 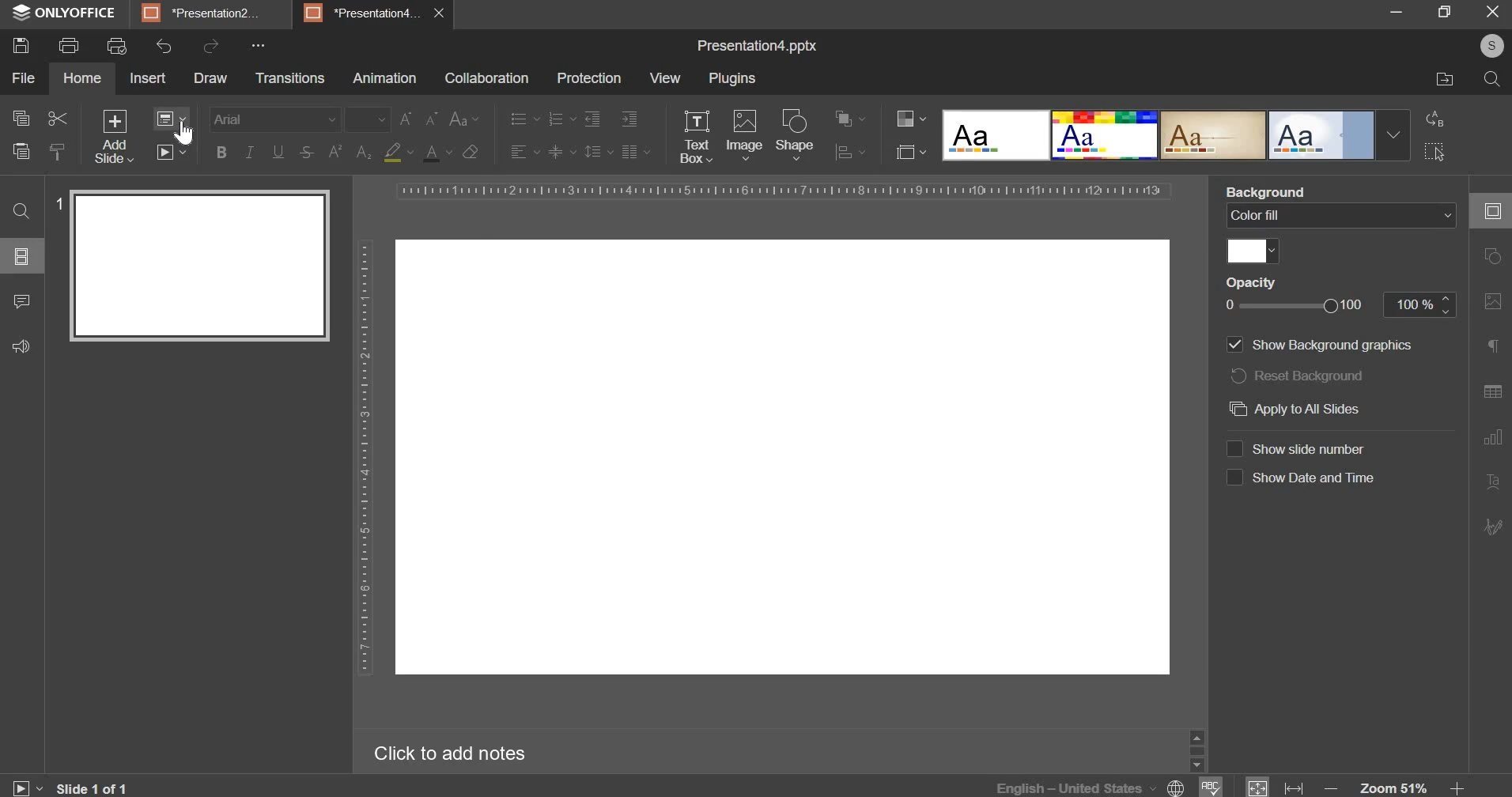 I want to click on reset background, so click(x=1302, y=376).